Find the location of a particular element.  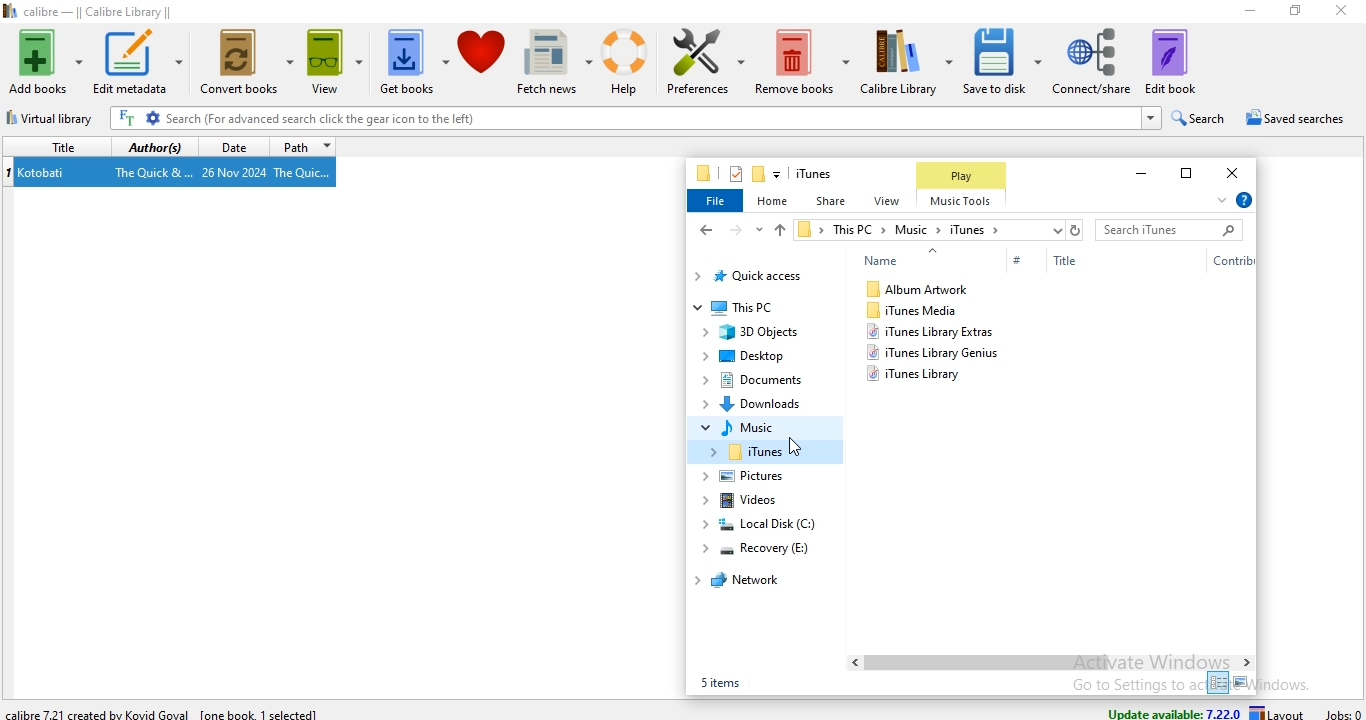

The Quic... is located at coordinates (307, 173).